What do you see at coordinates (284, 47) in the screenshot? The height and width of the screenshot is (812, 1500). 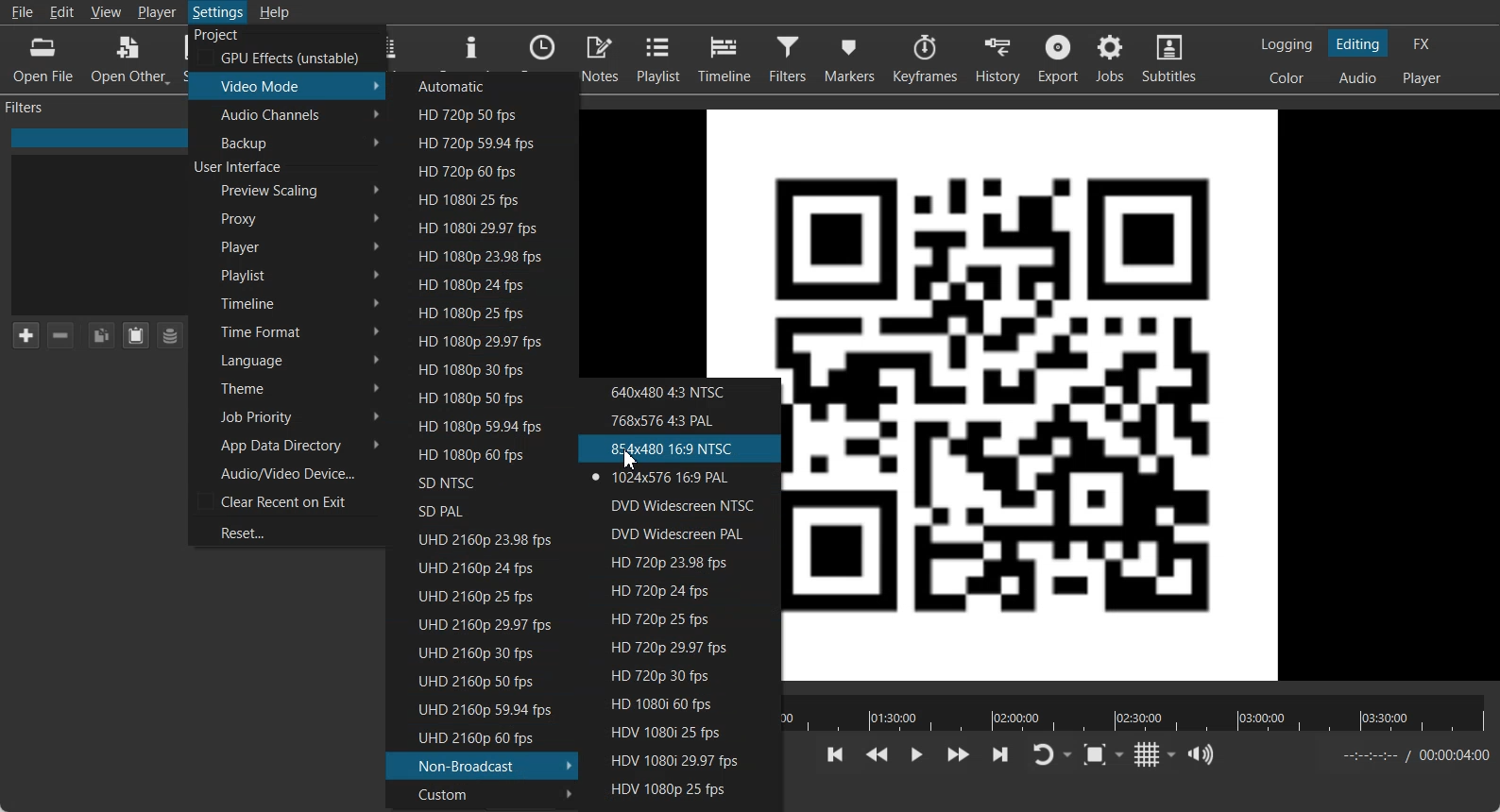 I see `Project GPU Effect` at bounding box center [284, 47].